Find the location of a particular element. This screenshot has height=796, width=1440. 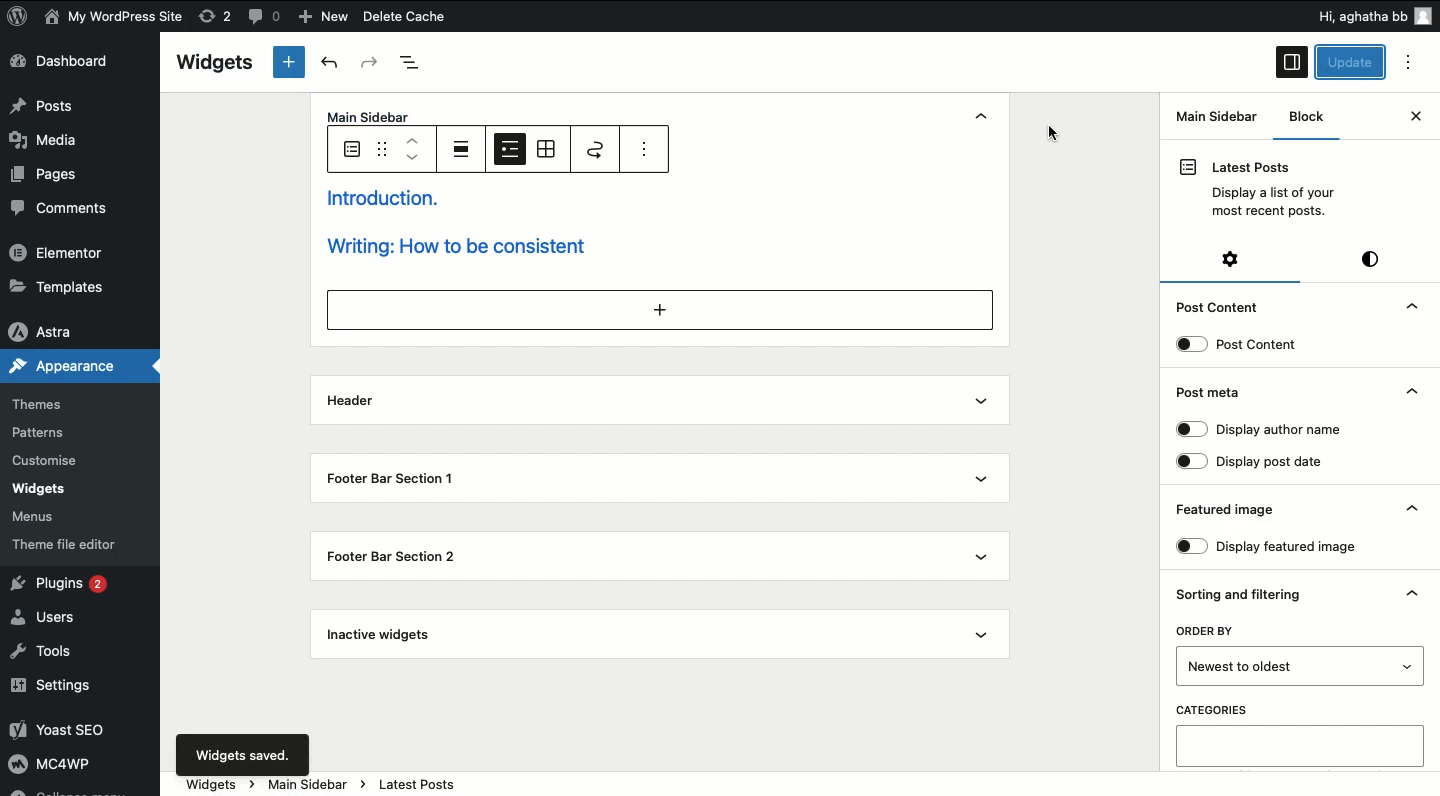

ORDER BY is located at coordinates (1213, 631).